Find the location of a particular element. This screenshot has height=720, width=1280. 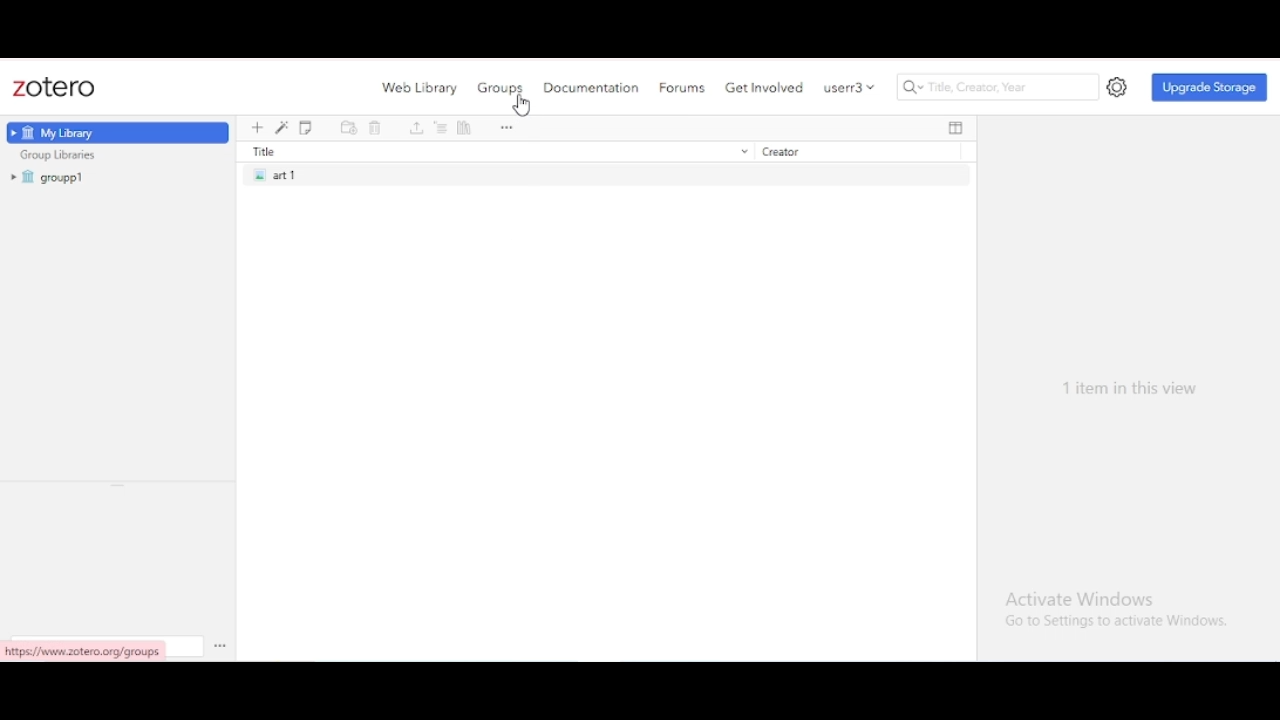

zotero is located at coordinates (54, 88).